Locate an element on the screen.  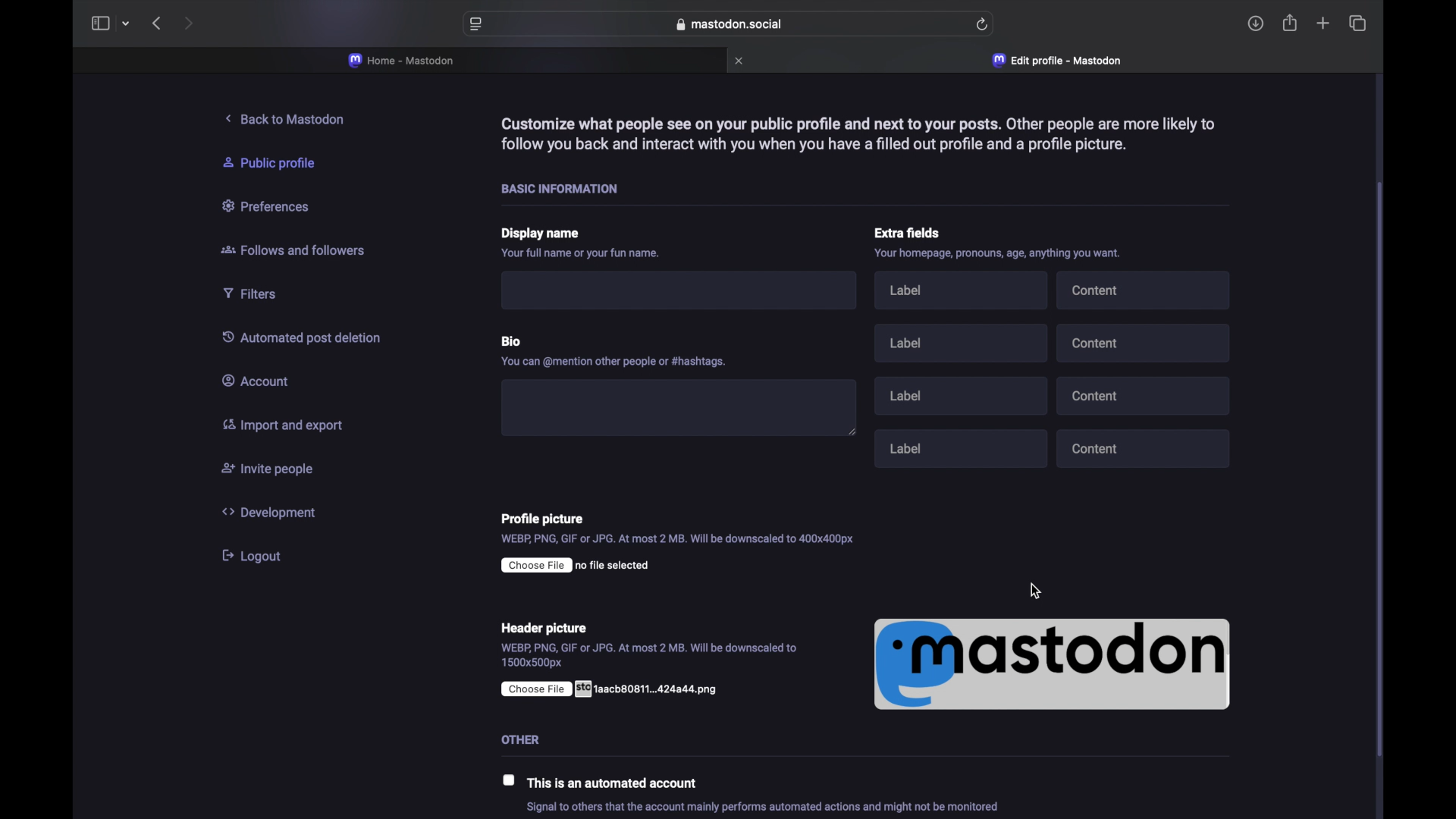
info is located at coordinates (582, 255).